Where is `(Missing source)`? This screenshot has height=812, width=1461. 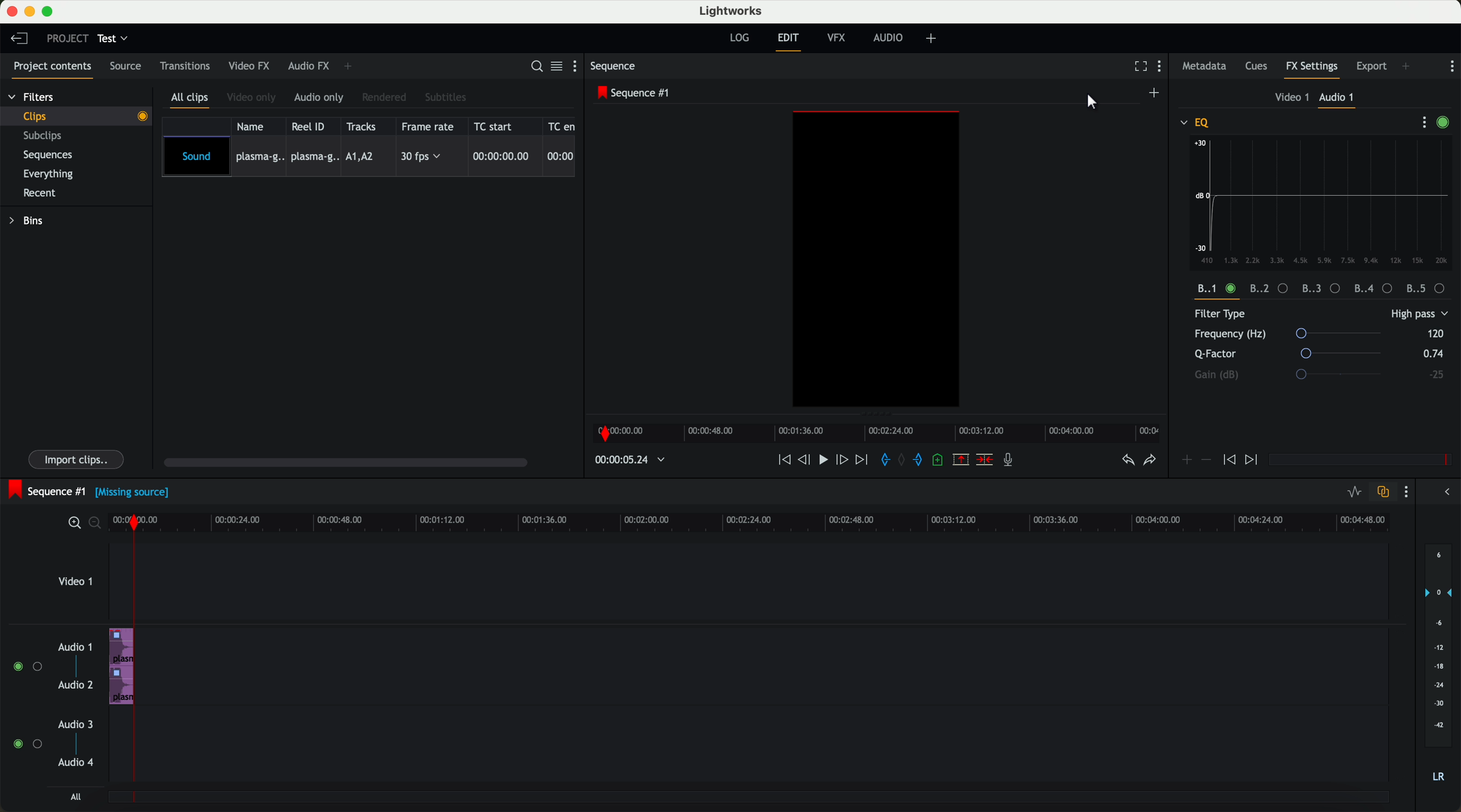
(Missing source) is located at coordinates (135, 494).